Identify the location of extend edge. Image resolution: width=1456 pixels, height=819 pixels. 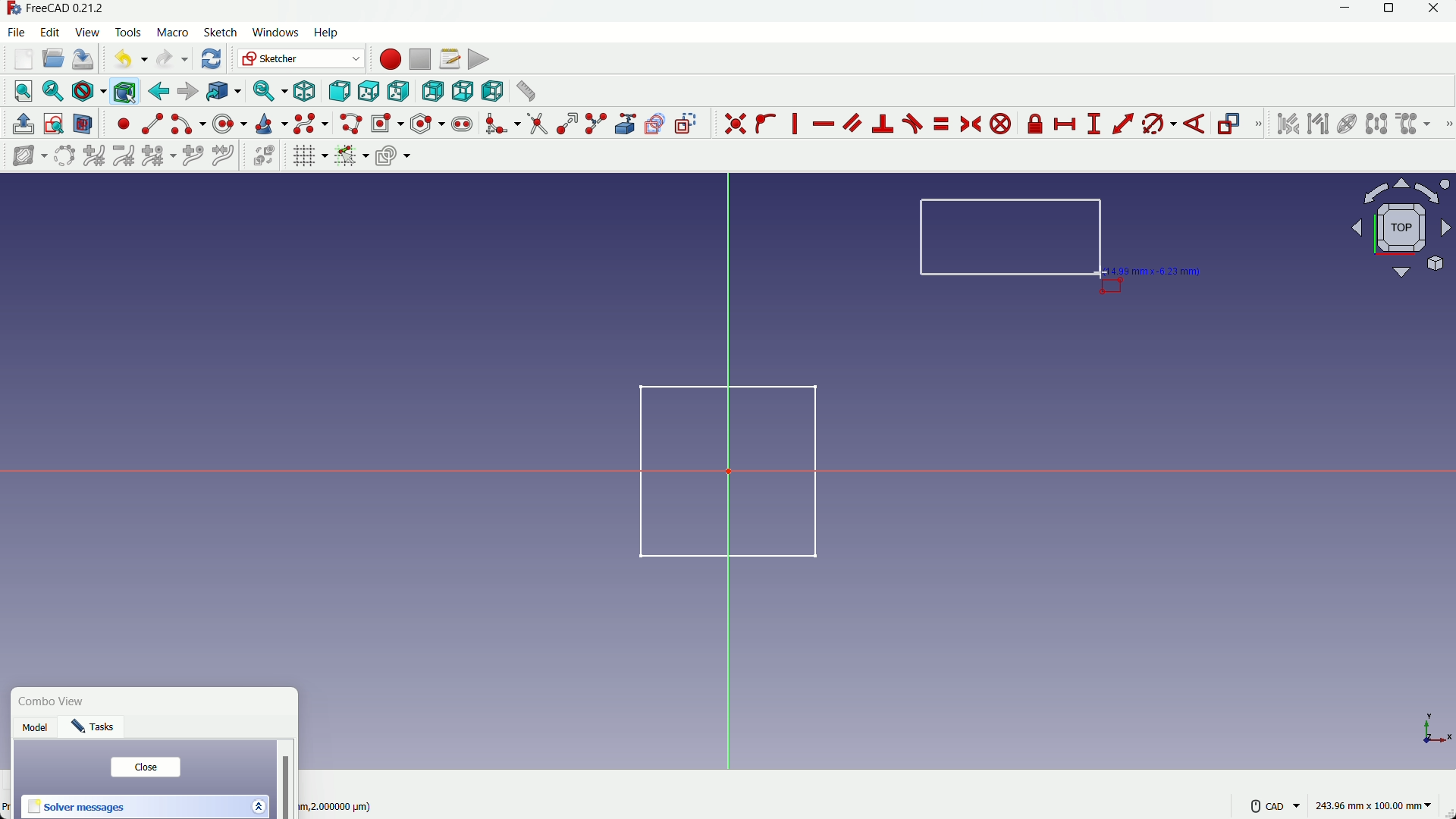
(567, 124).